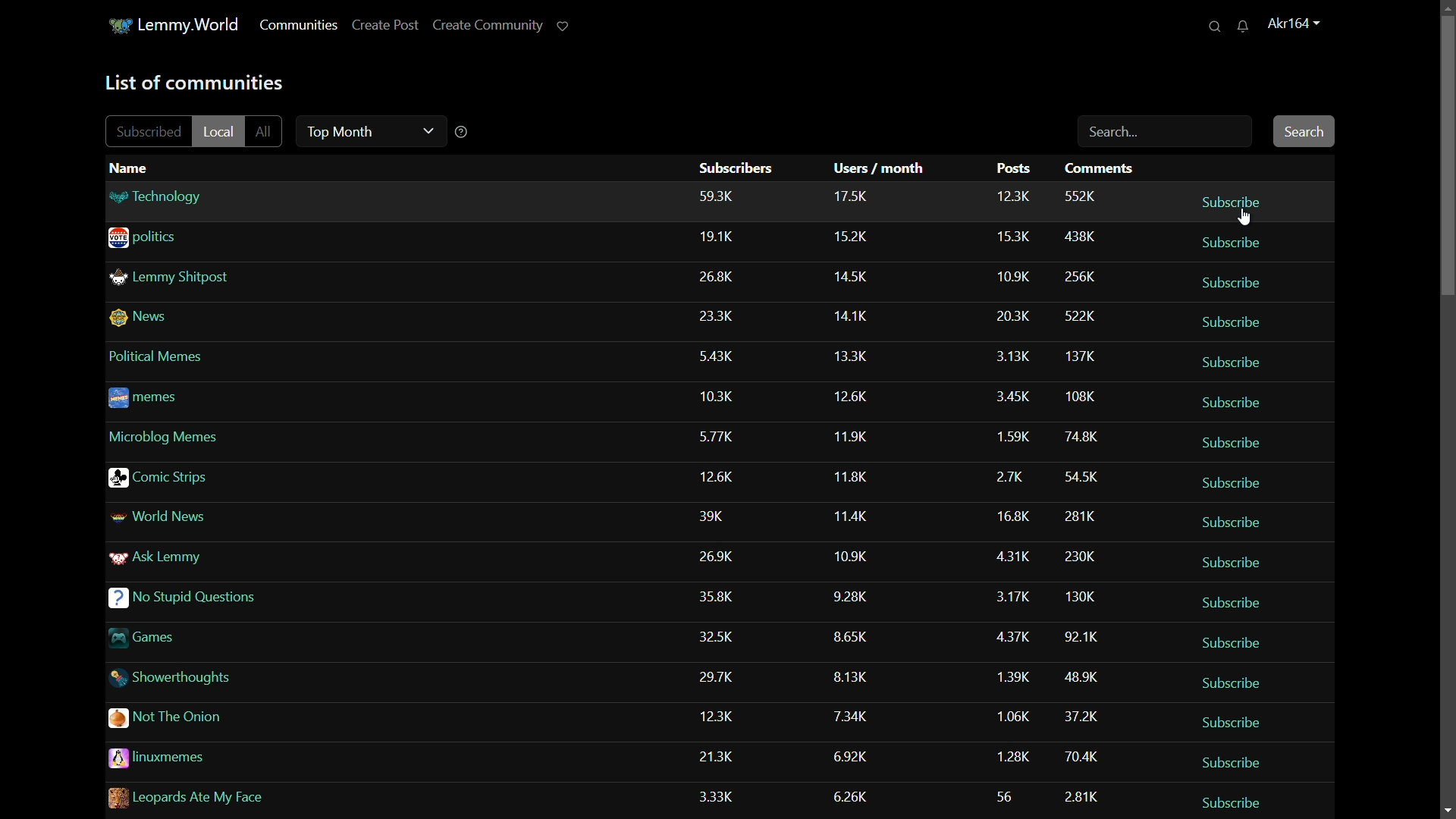 This screenshot has width=1456, height=819. I want to click on posts, so click(1011, 170).